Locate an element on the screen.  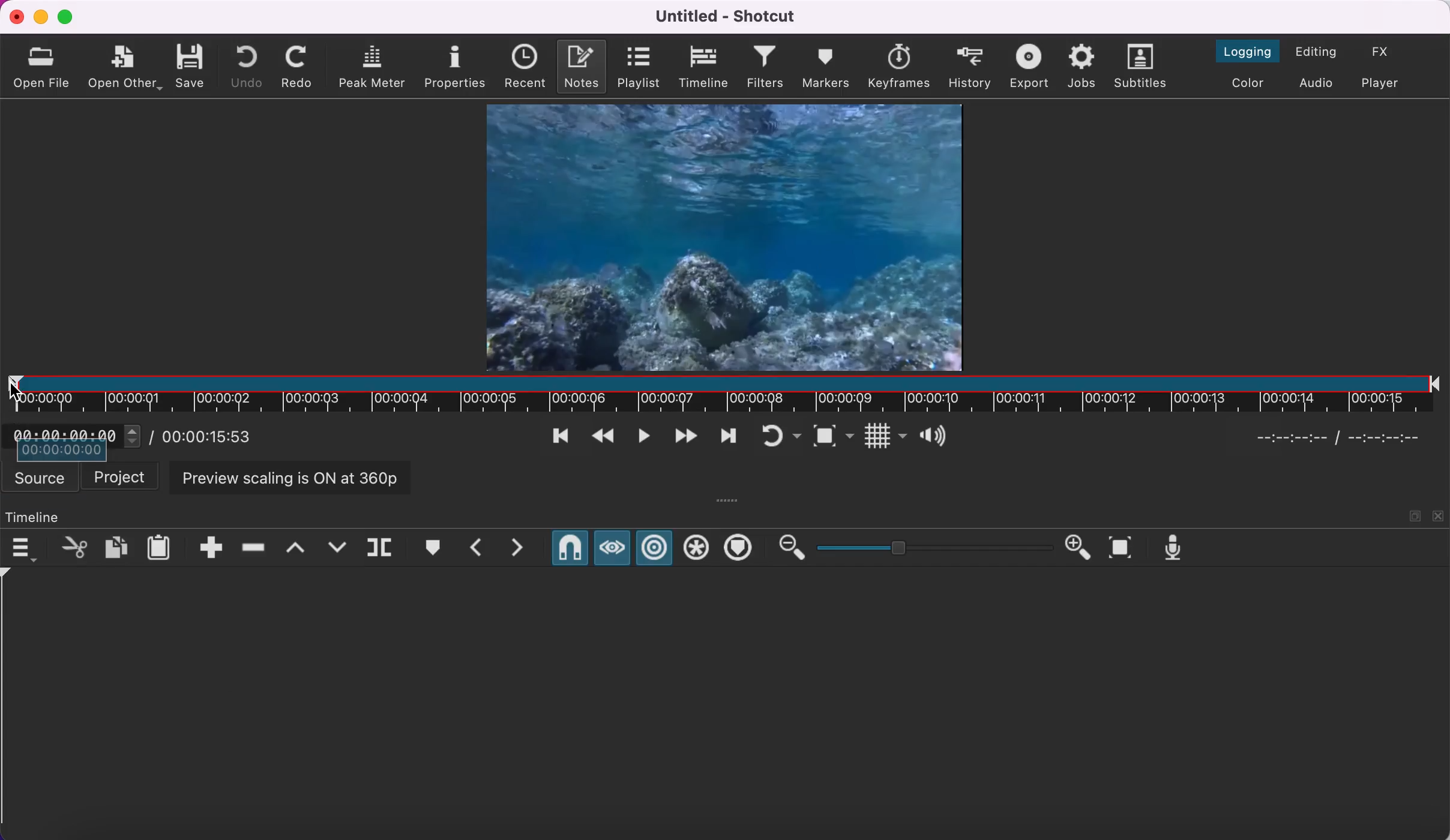
keyframes is located at coordinates (901, 65).